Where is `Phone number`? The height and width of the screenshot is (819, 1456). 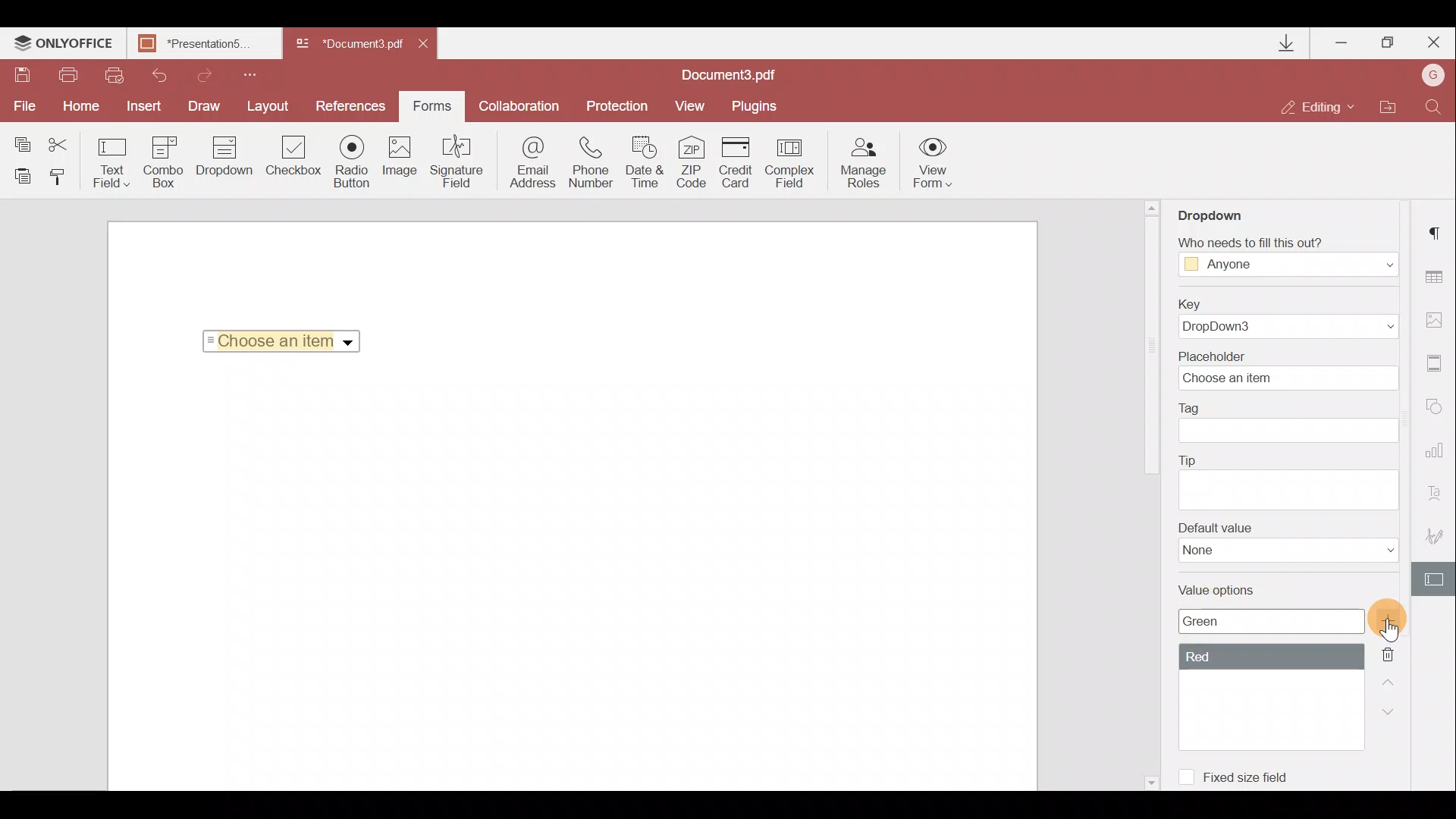
Phone number is located at coordinates (593, 162).